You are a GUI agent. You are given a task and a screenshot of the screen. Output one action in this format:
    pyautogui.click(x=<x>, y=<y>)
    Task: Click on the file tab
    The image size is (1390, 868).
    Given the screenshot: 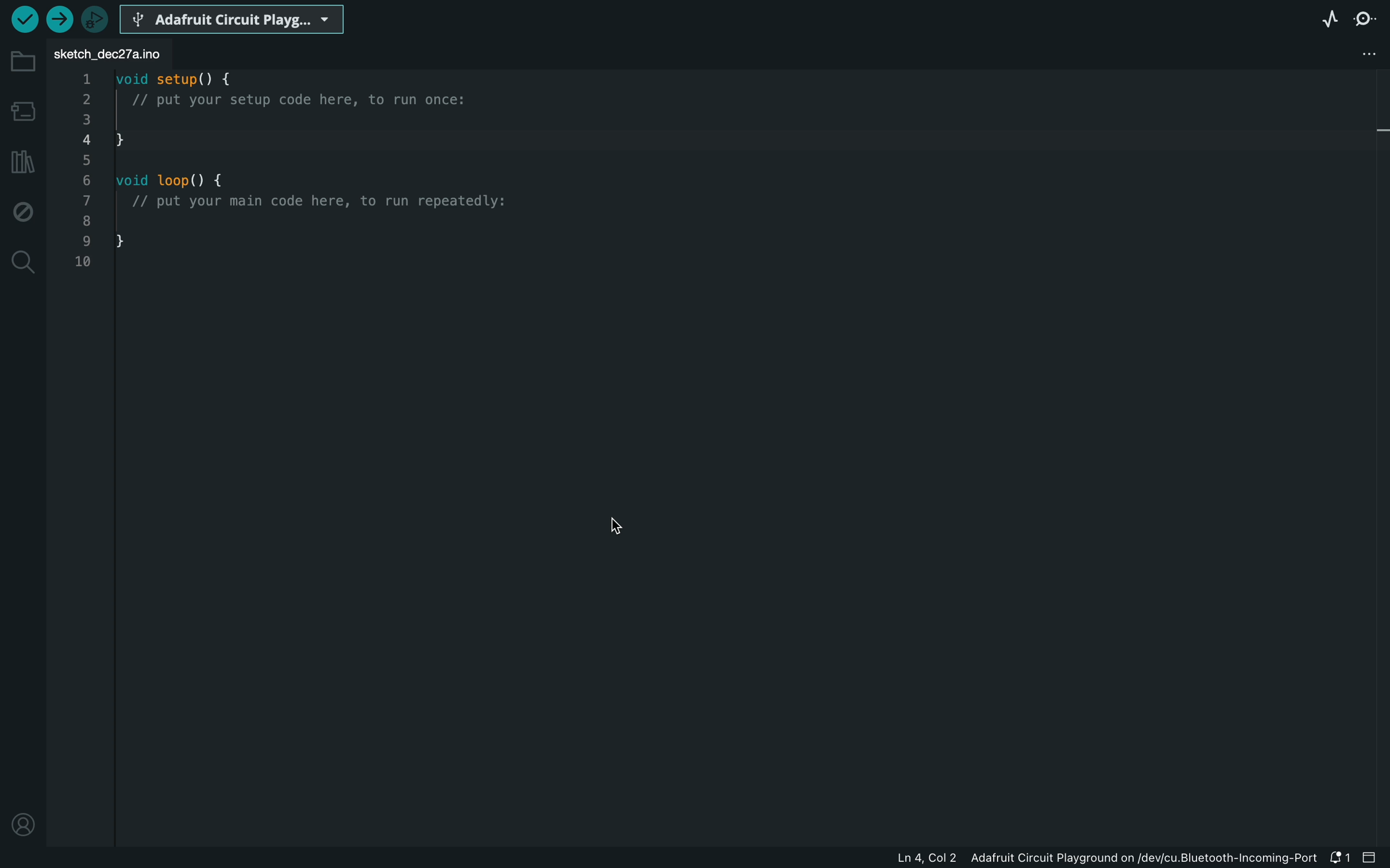 What is the action you would take?
    pyautogui.click(x=115, y=56)
    